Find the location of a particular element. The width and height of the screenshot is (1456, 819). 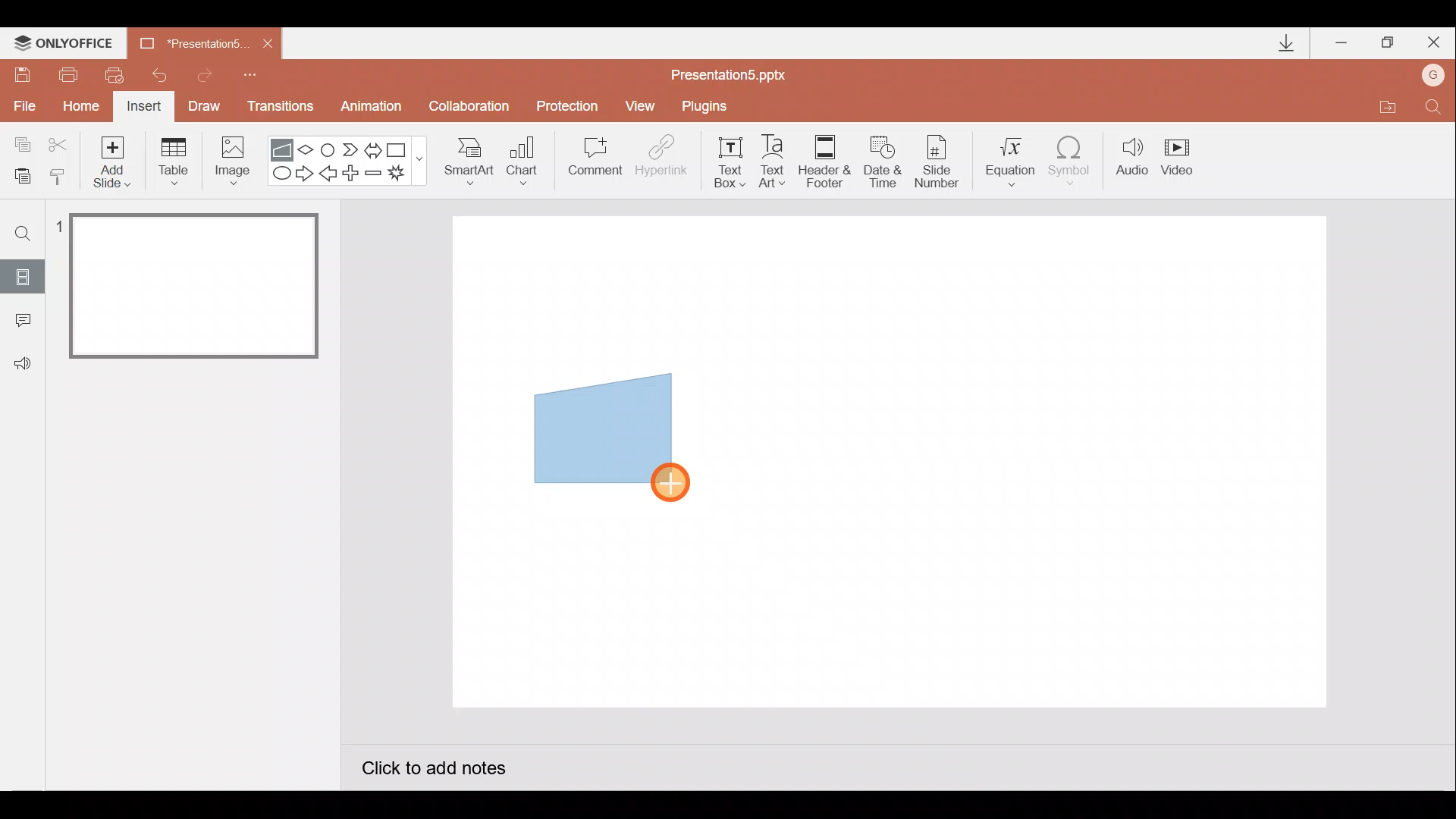

Open file location is located at coordinates (1387, 109).